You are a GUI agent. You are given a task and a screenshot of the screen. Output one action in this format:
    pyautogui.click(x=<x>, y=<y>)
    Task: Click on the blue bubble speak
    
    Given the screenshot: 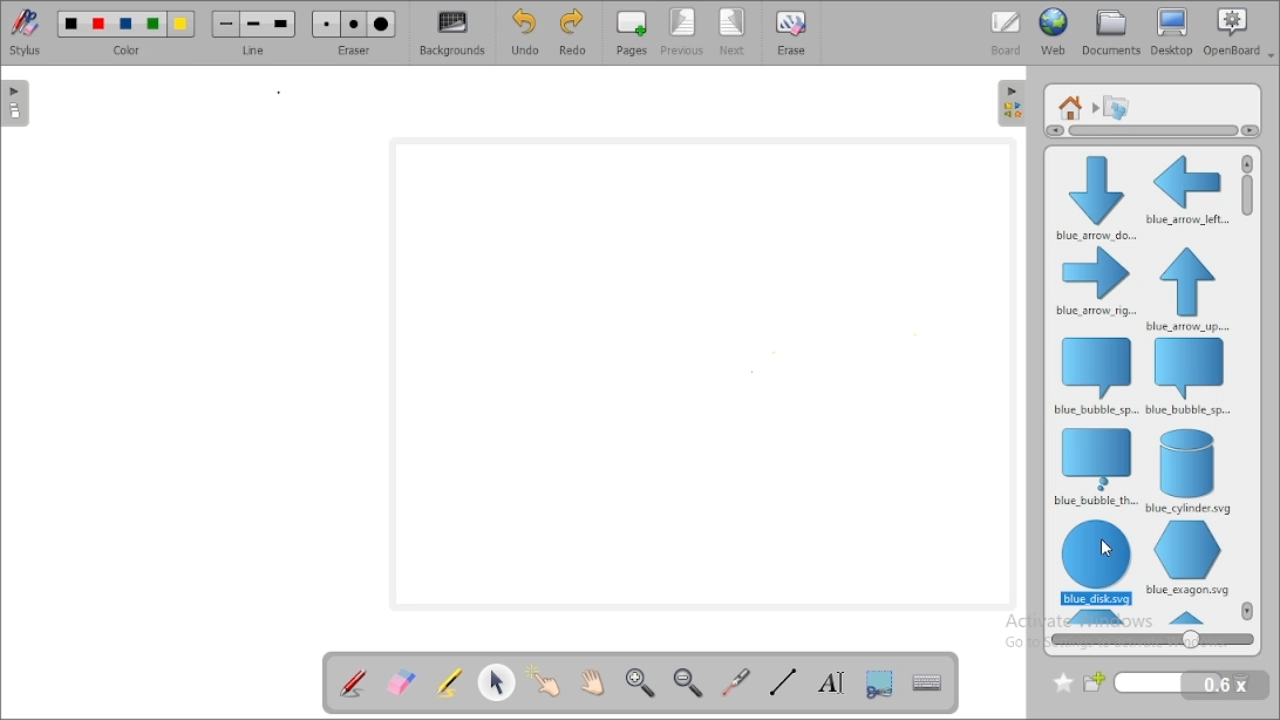 What is the action you would take?
    pyautogui.click(x=1094, y=375)
    